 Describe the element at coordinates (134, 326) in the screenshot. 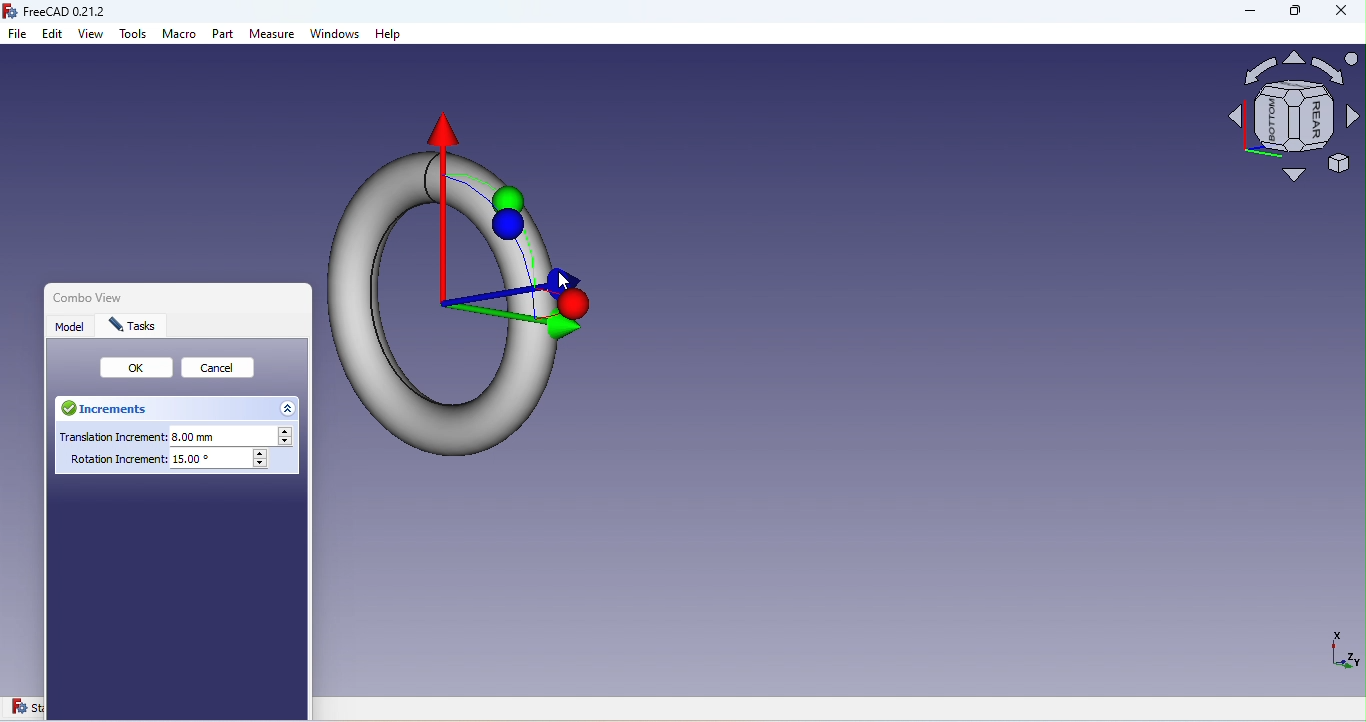

I see `Tasks` at that location.